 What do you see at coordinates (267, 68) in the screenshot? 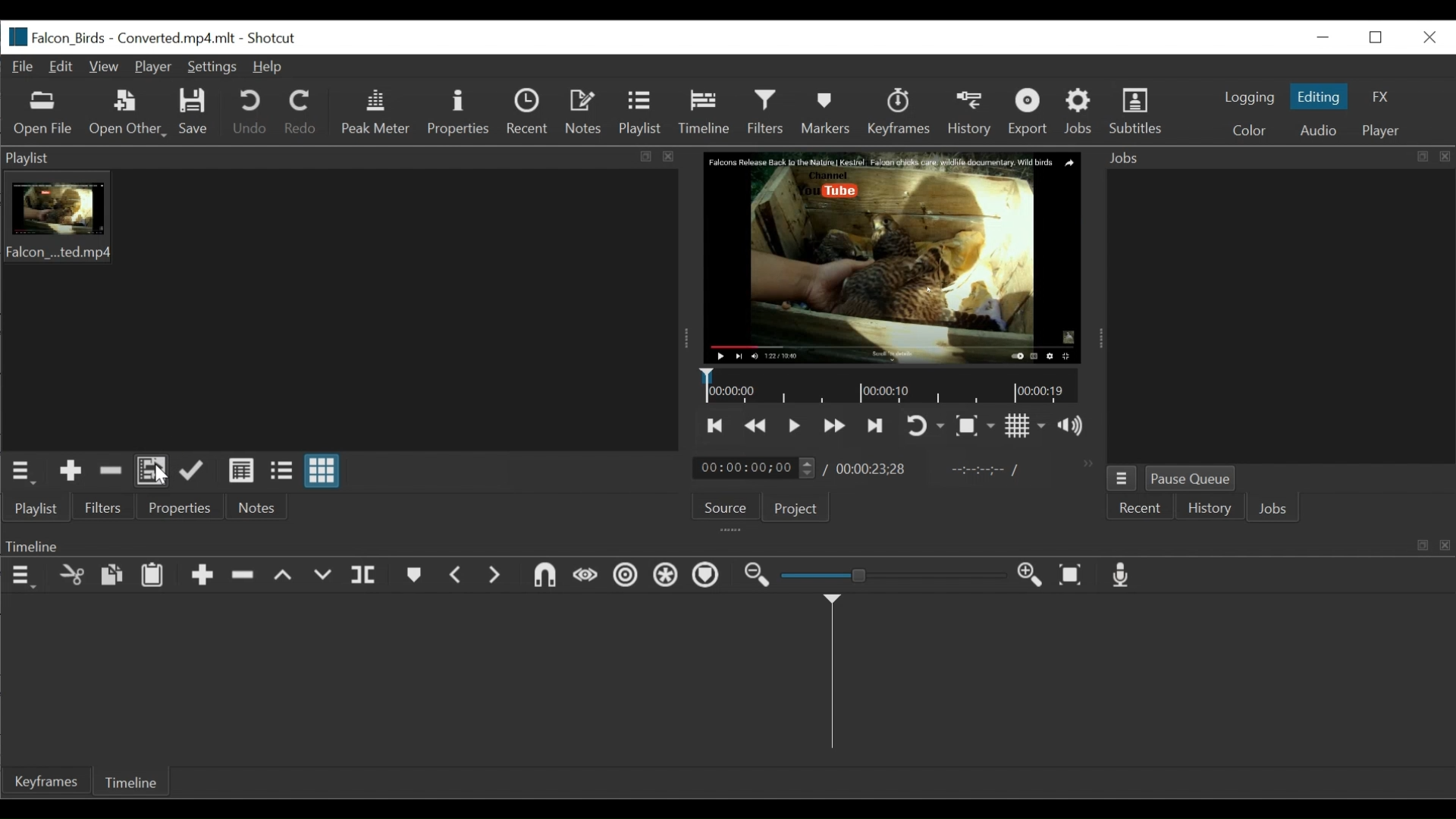
I see `Help` at bounding box center [267, 68].